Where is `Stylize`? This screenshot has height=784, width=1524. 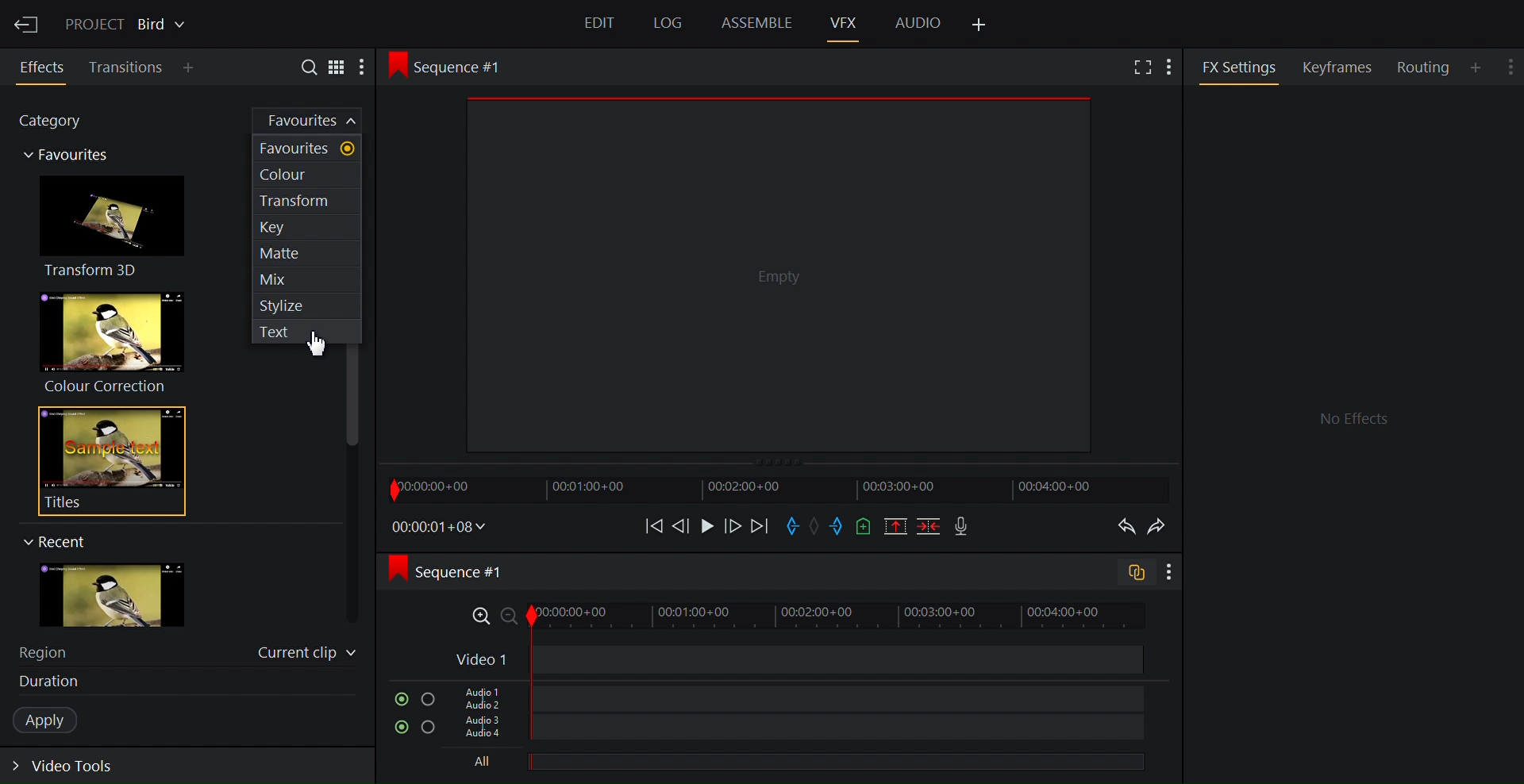
Stylize is located at coordinates (308, 305).